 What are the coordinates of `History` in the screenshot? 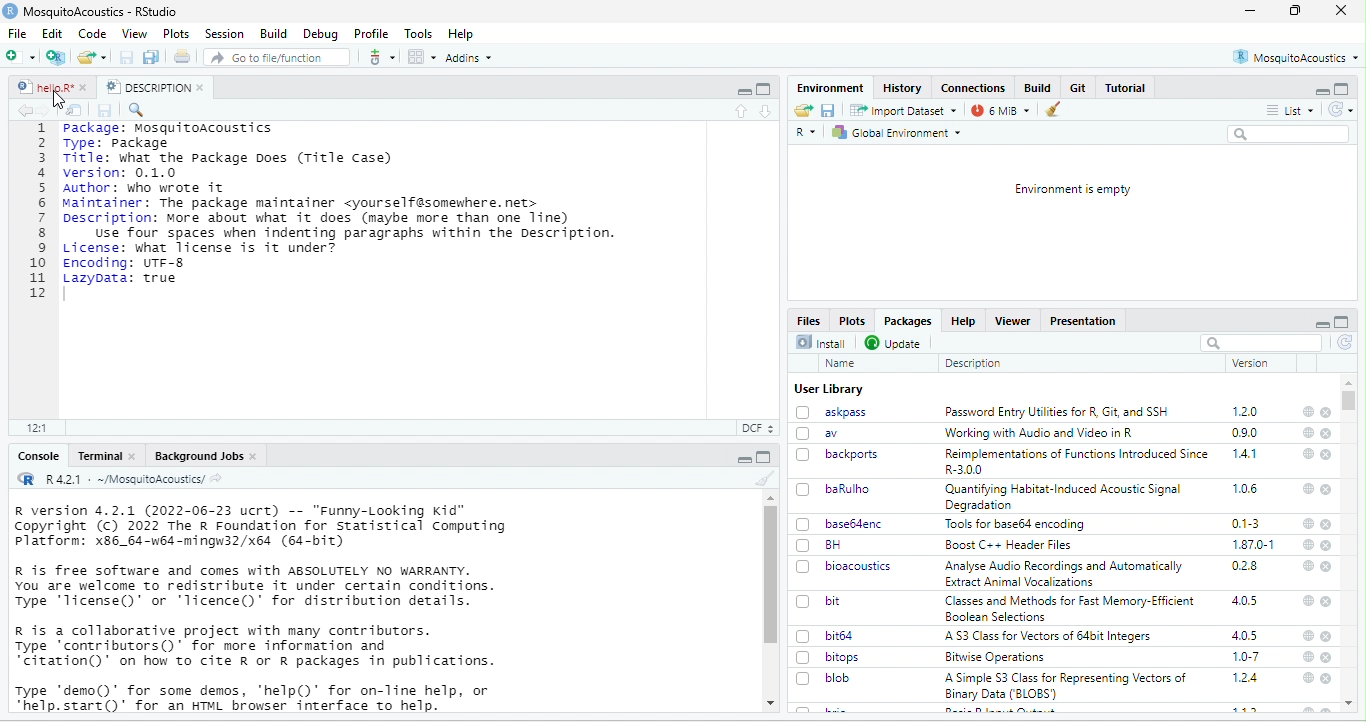 It's located at (902, 88).